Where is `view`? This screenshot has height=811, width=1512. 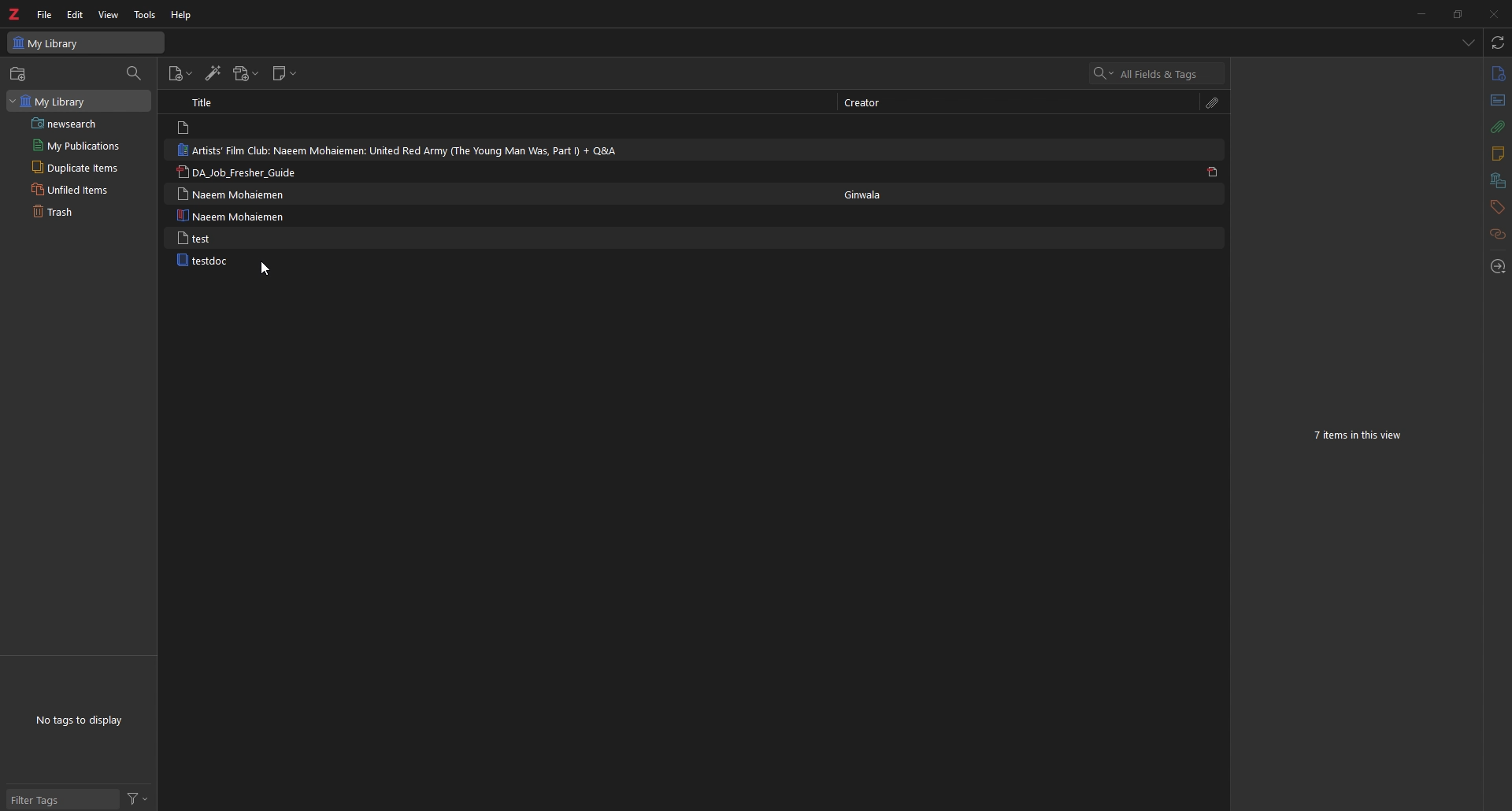
view is located at coordinates (109, 14).